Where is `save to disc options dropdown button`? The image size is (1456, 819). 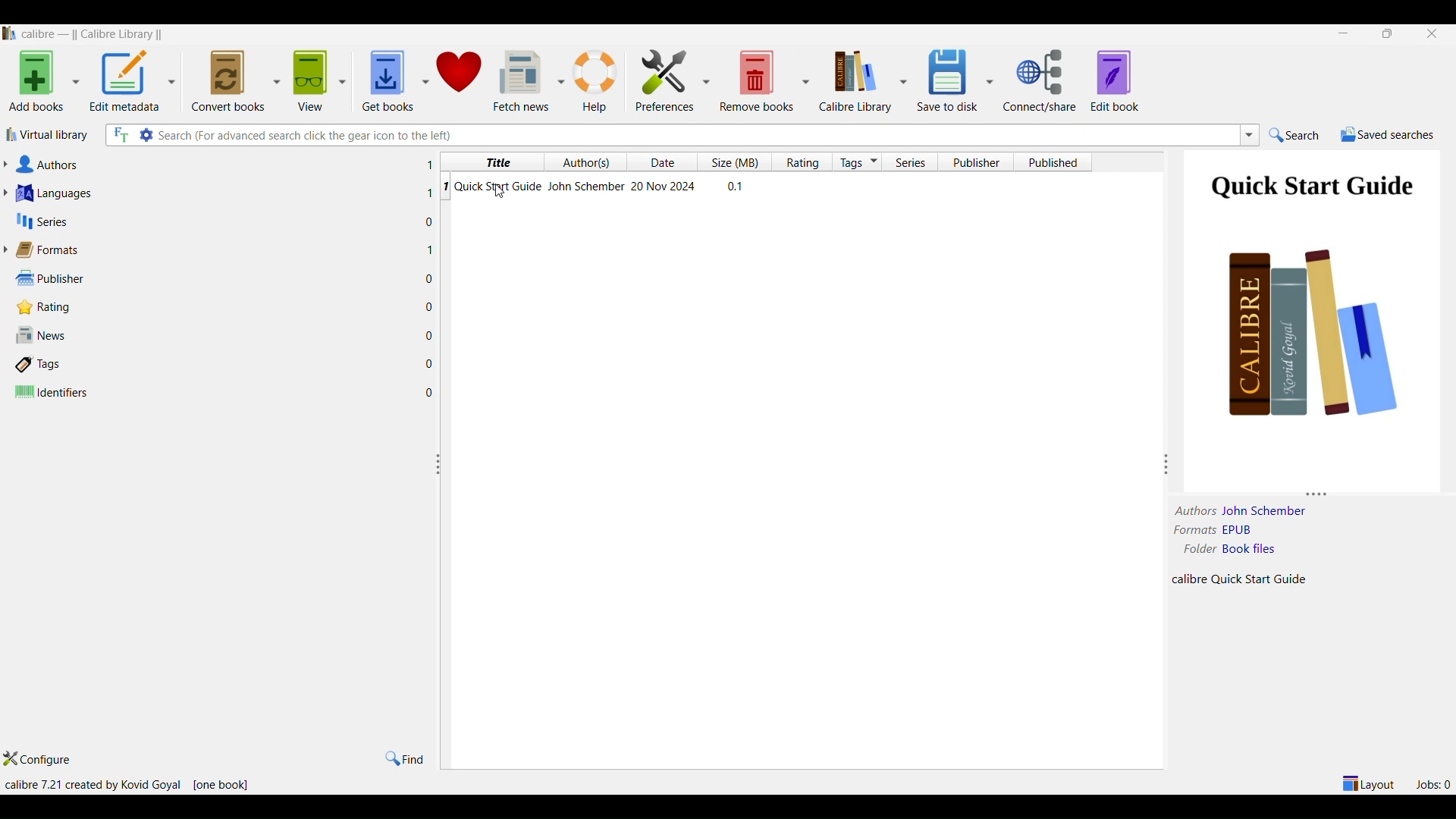 save to disc options dropdown button is located at coordinates (990, 80).